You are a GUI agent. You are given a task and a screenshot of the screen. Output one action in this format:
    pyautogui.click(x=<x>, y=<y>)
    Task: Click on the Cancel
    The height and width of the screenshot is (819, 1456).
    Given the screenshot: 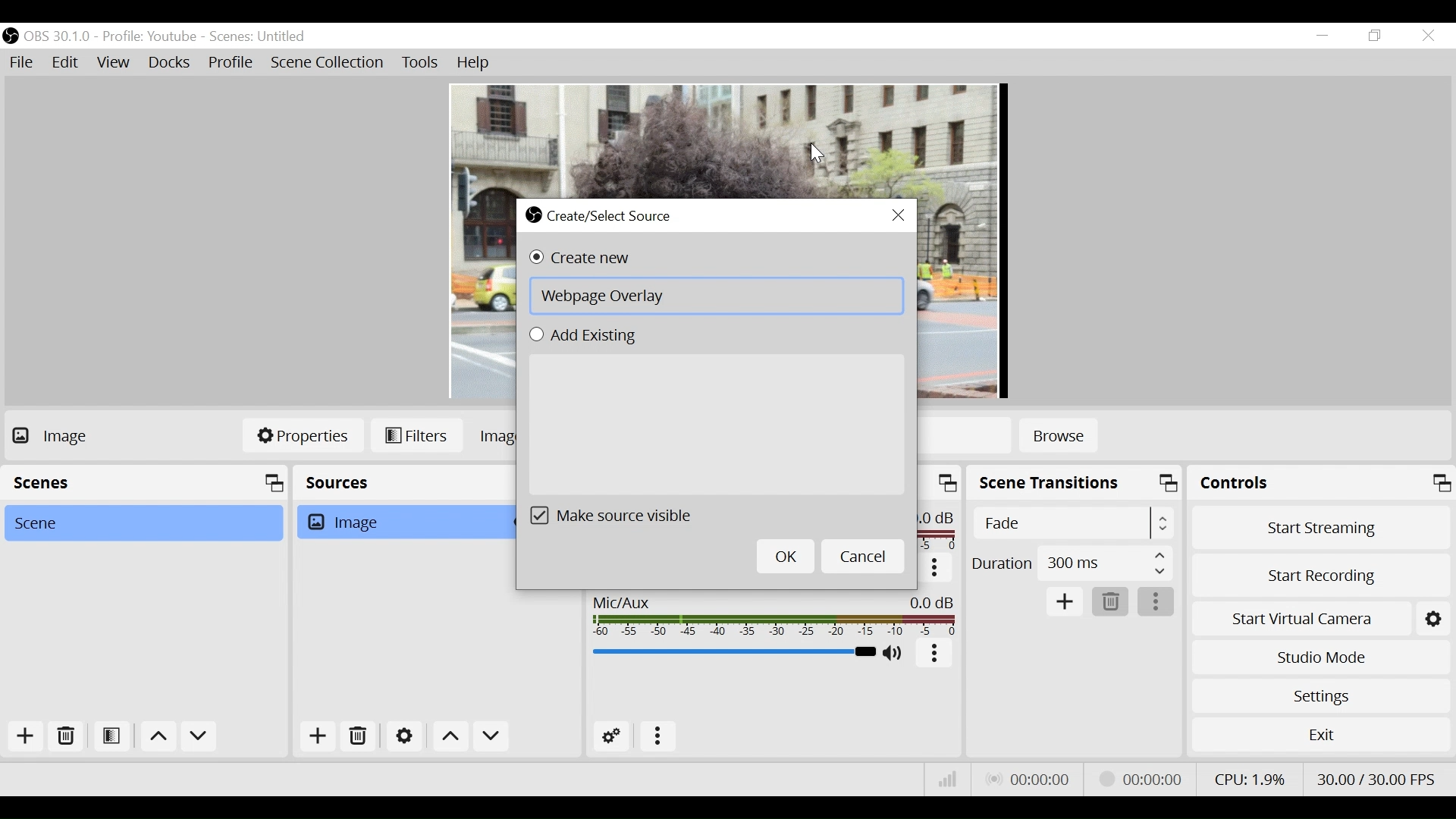 What is the action you would take?
    pyautogui.click(x=863, y=556)
    